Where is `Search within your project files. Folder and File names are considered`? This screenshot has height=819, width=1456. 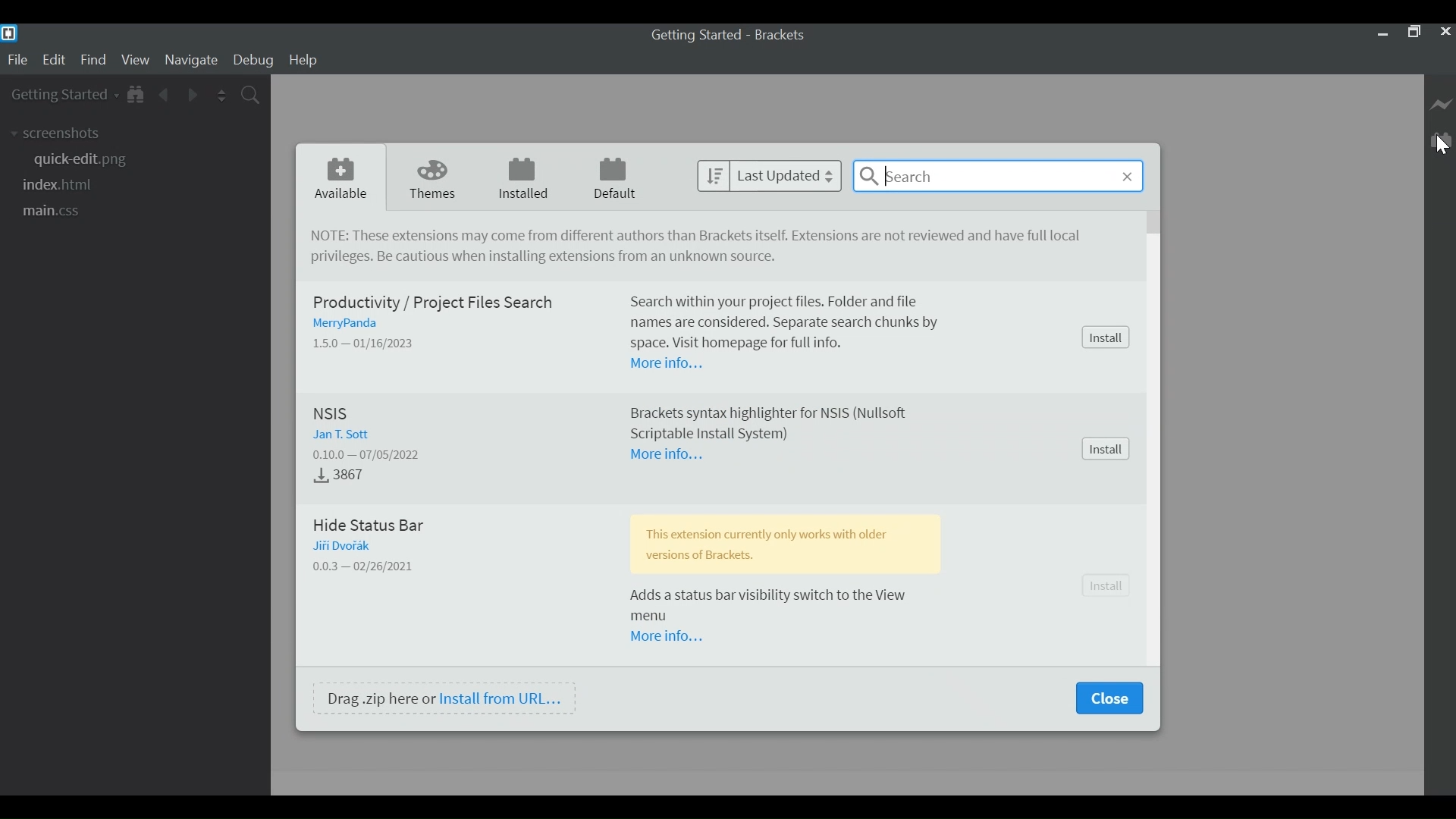
Search within your project files. Folder and File names are considered is located at coordinates (792, 324).